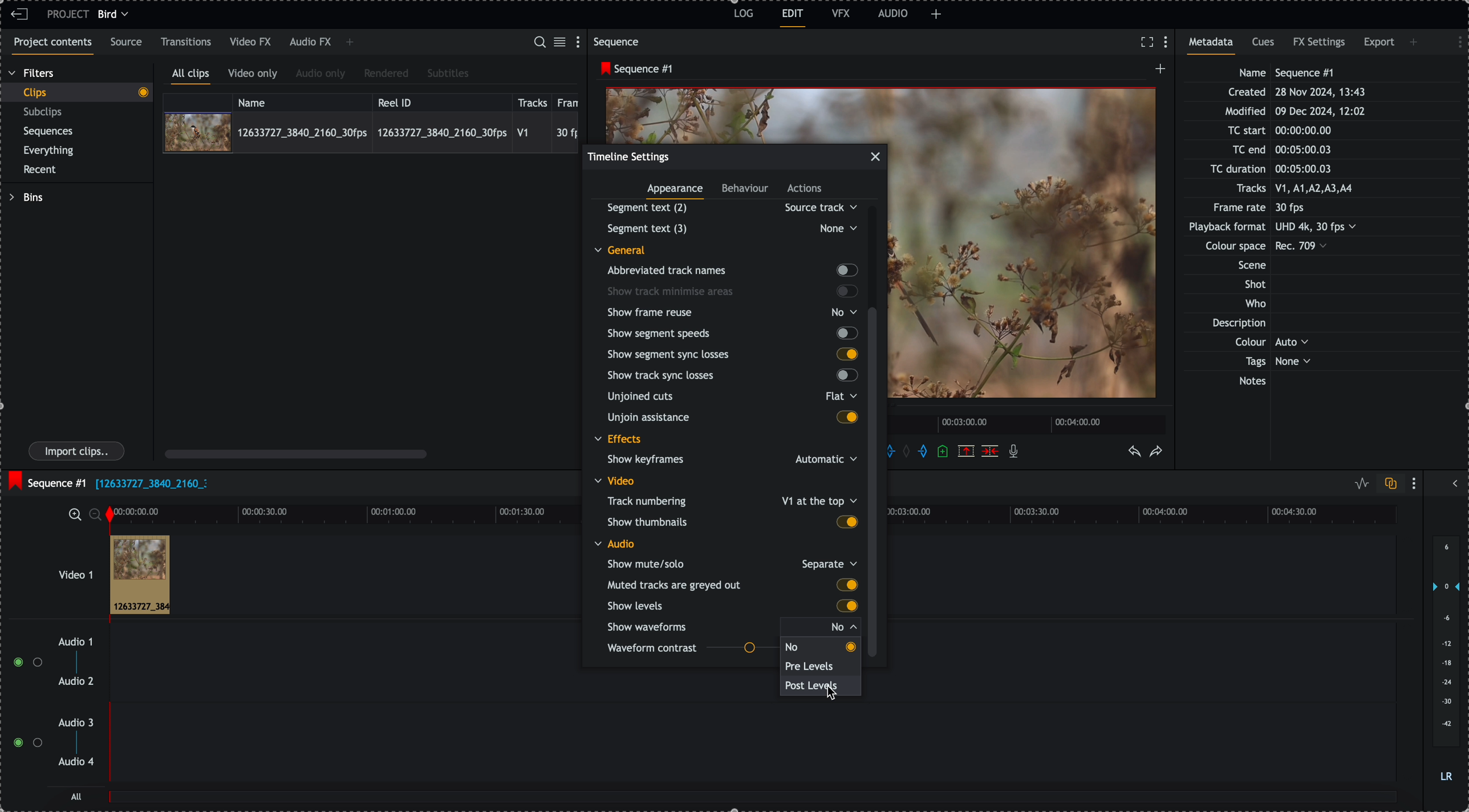  Describe the element at coordinates (128, 43) in the screenshot. I see `source` at that location.